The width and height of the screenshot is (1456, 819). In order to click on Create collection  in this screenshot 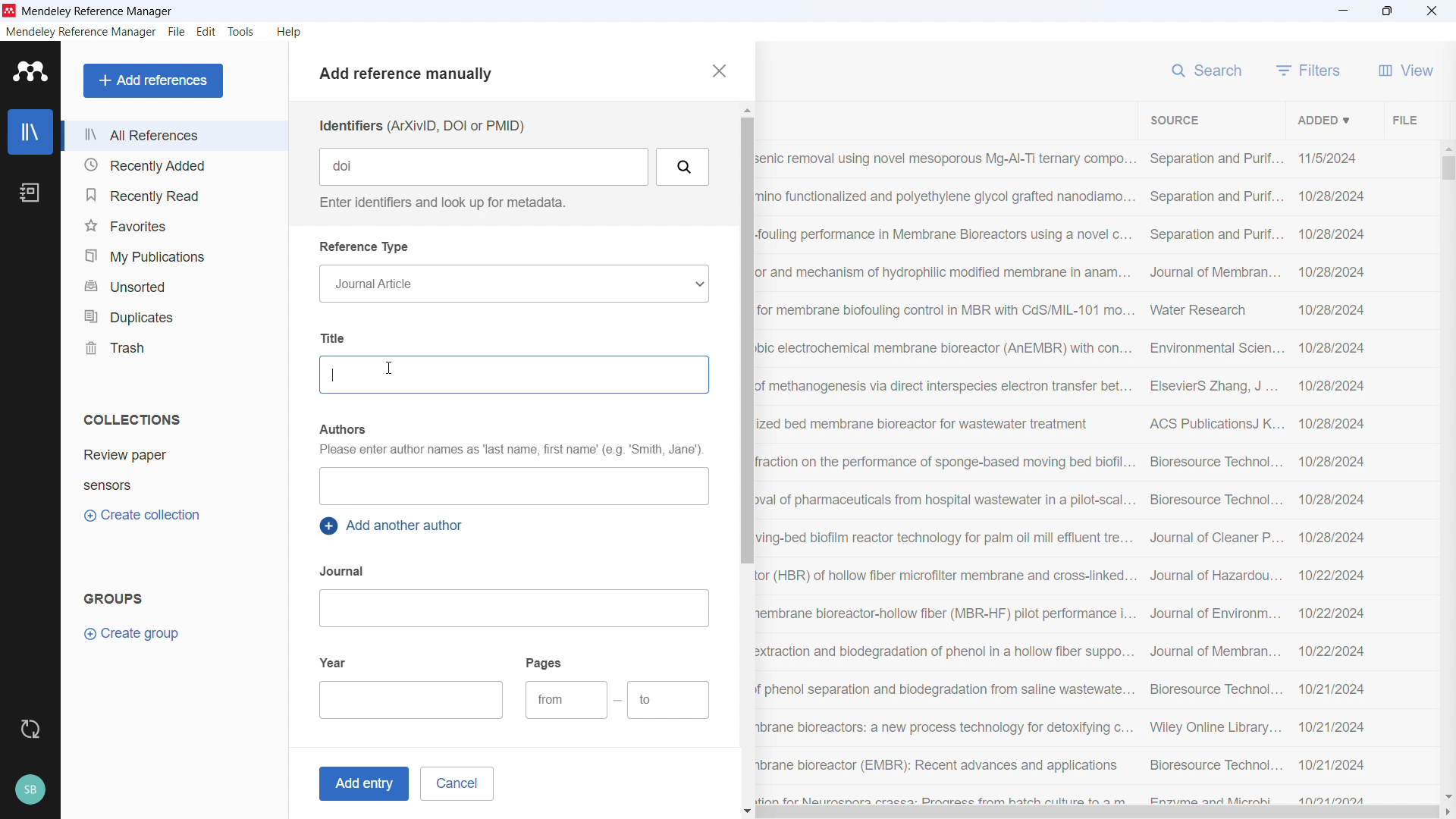, I will do `click(144, 516)`.